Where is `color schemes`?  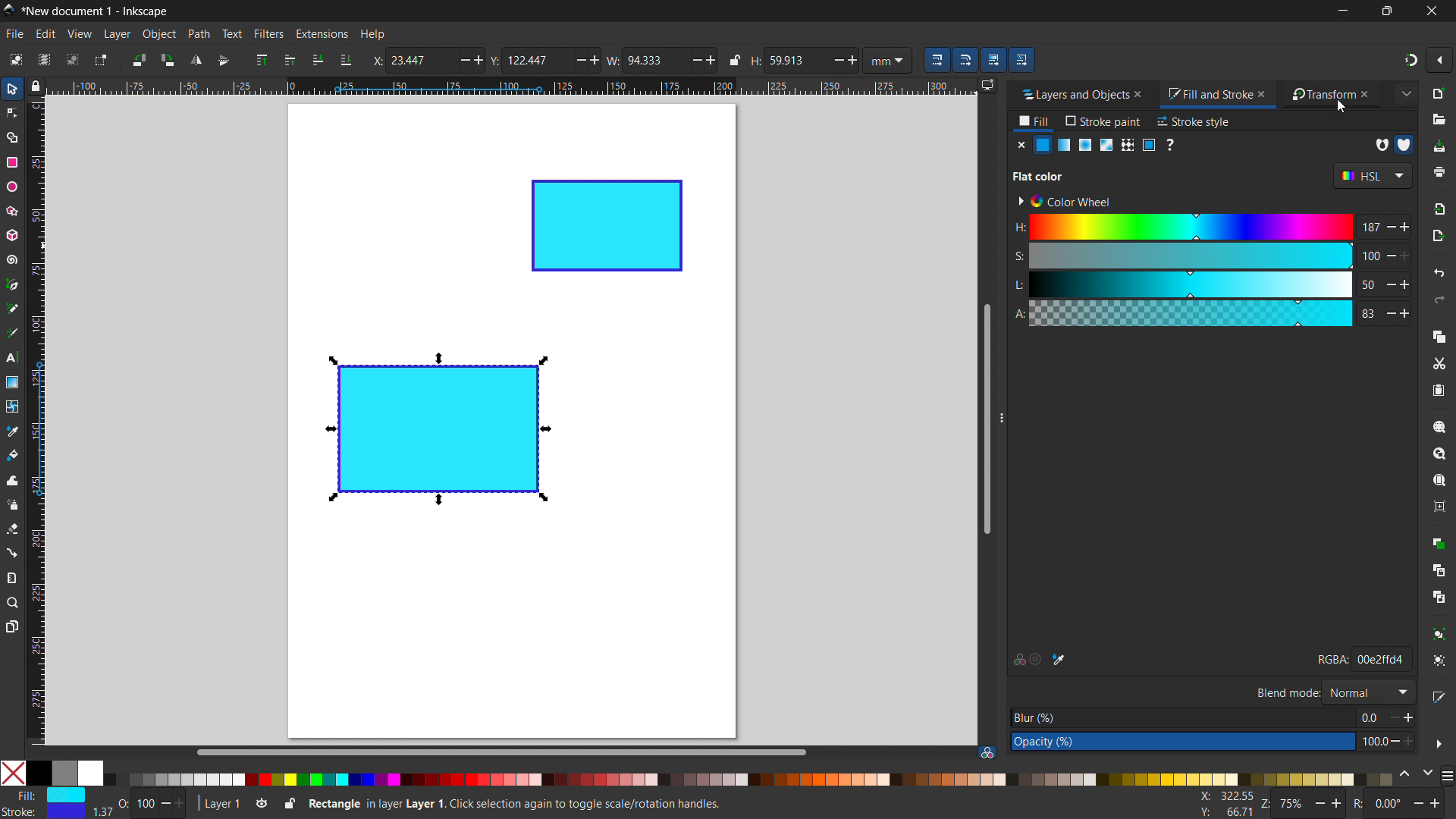 color schemes is located at coordinates (1371, 176).